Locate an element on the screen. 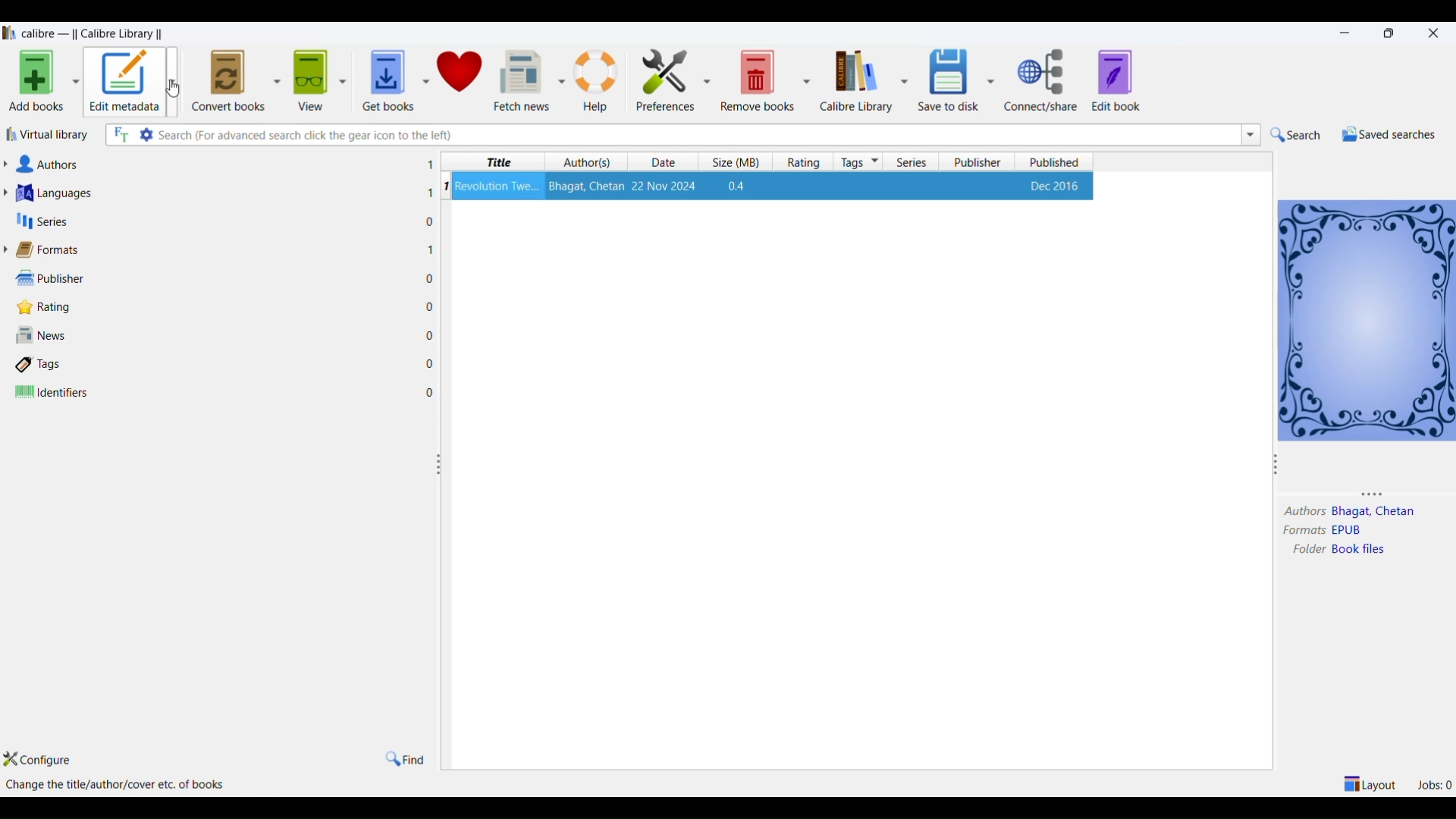 Image resolution: width=1456 pixels, height=819 pixels. library options dropdown button is located at coordinates (902, 79).